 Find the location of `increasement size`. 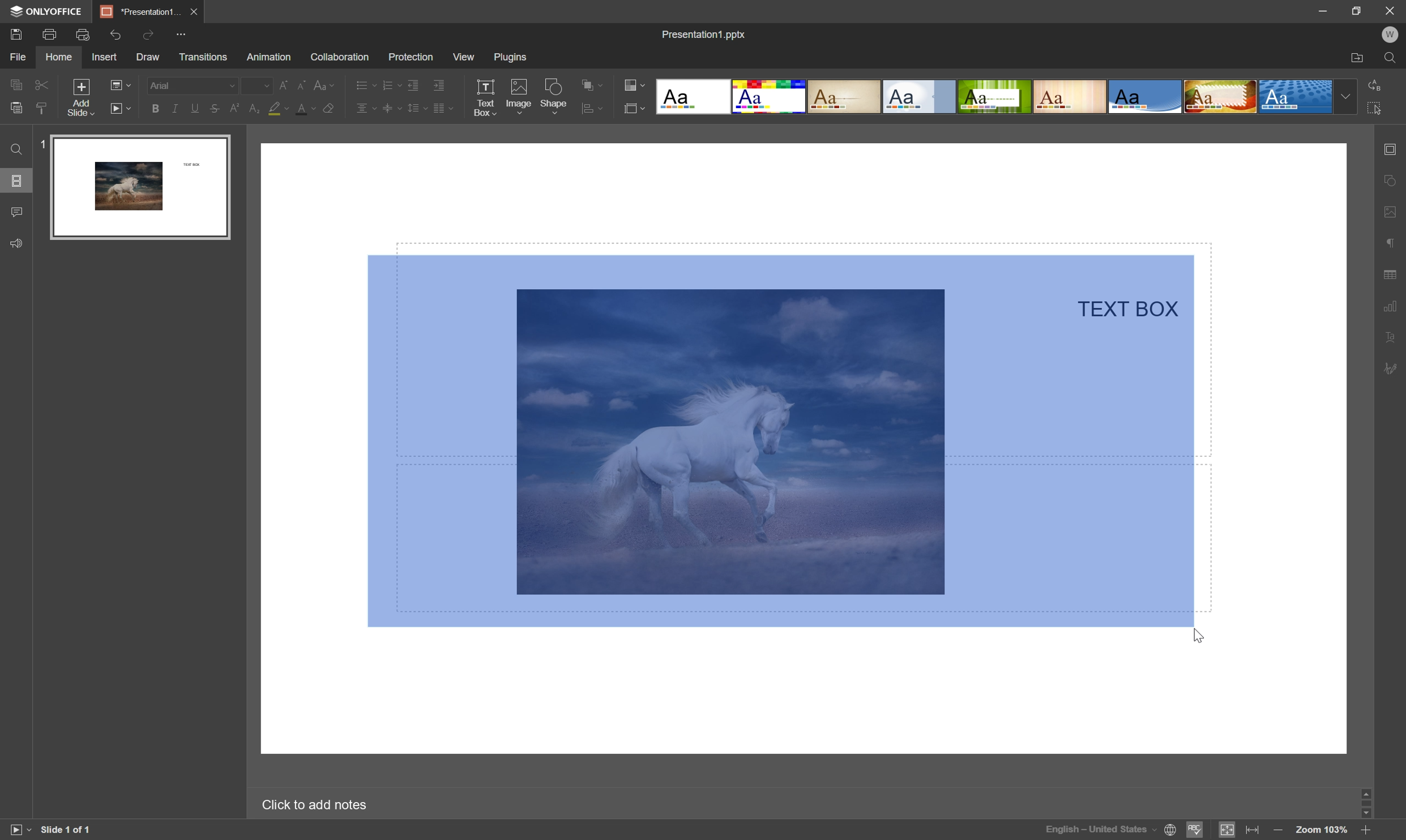

increasement size is located at coordinates (286, 85).